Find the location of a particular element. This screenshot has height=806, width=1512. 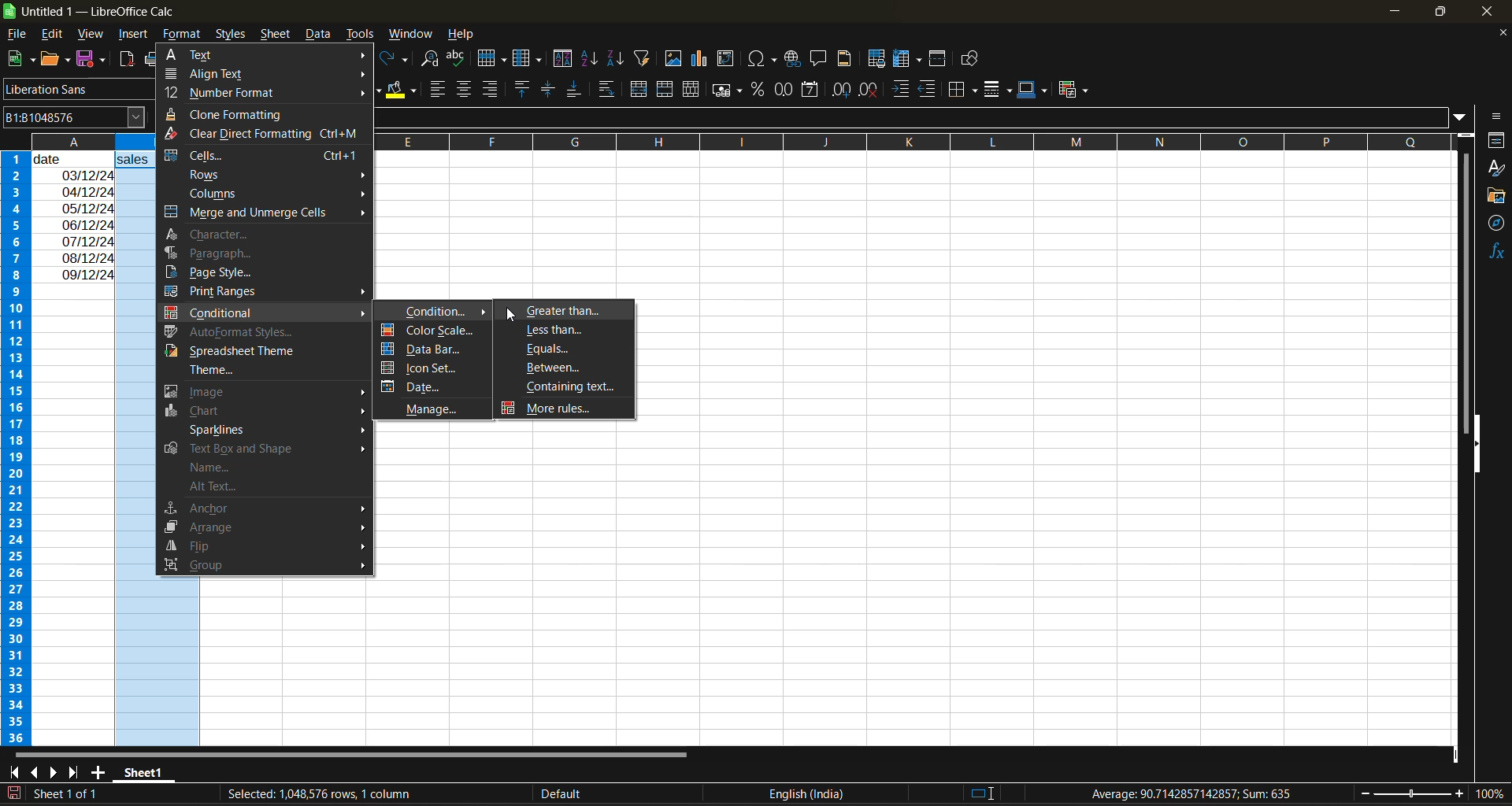

data is located at coordinates (317, 35).